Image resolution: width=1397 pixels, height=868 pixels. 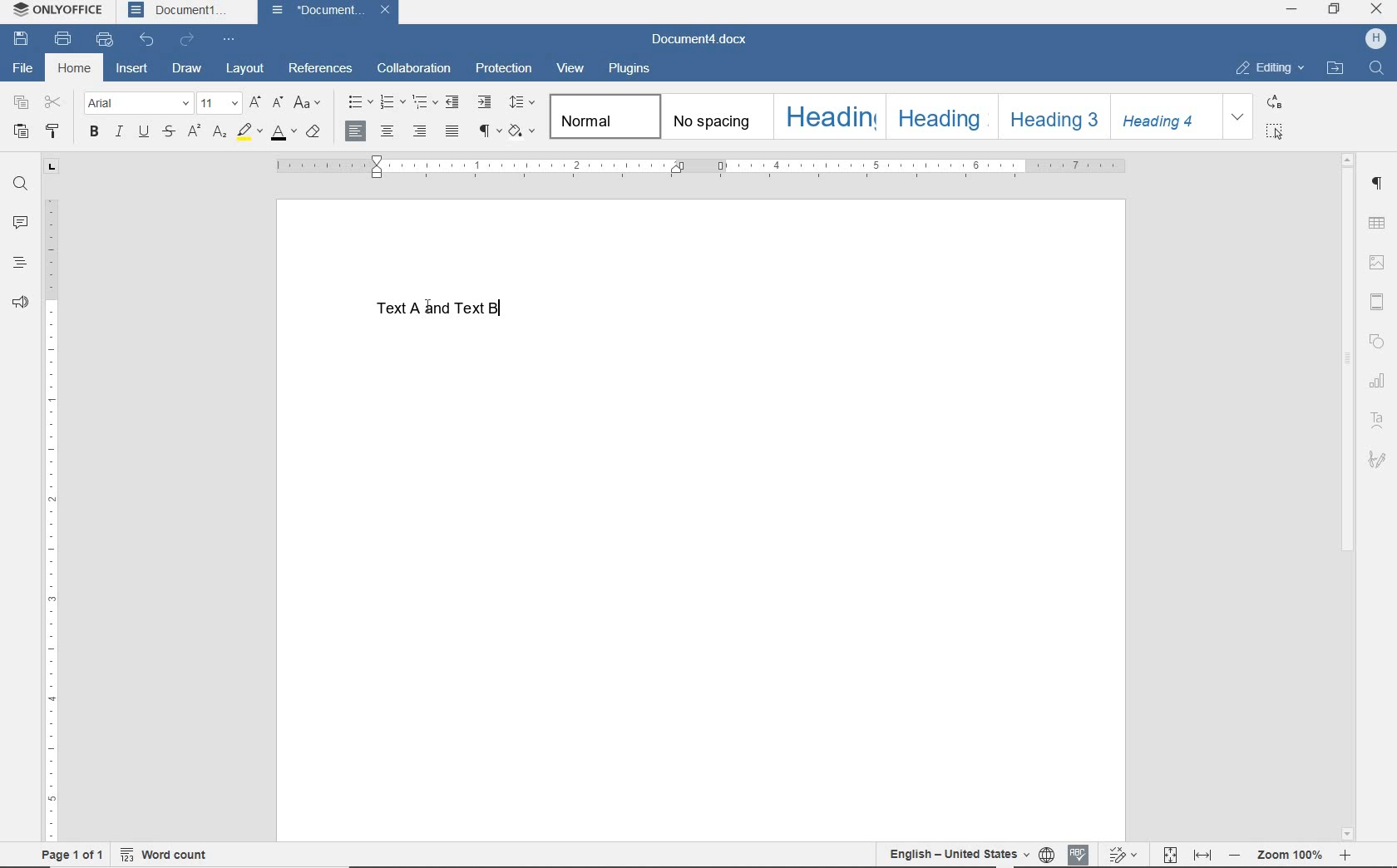 What do you see at coordinates (699, 41) in the screenshot?
I see `DOCUMENT NAME` at bounding box center [699, 41].